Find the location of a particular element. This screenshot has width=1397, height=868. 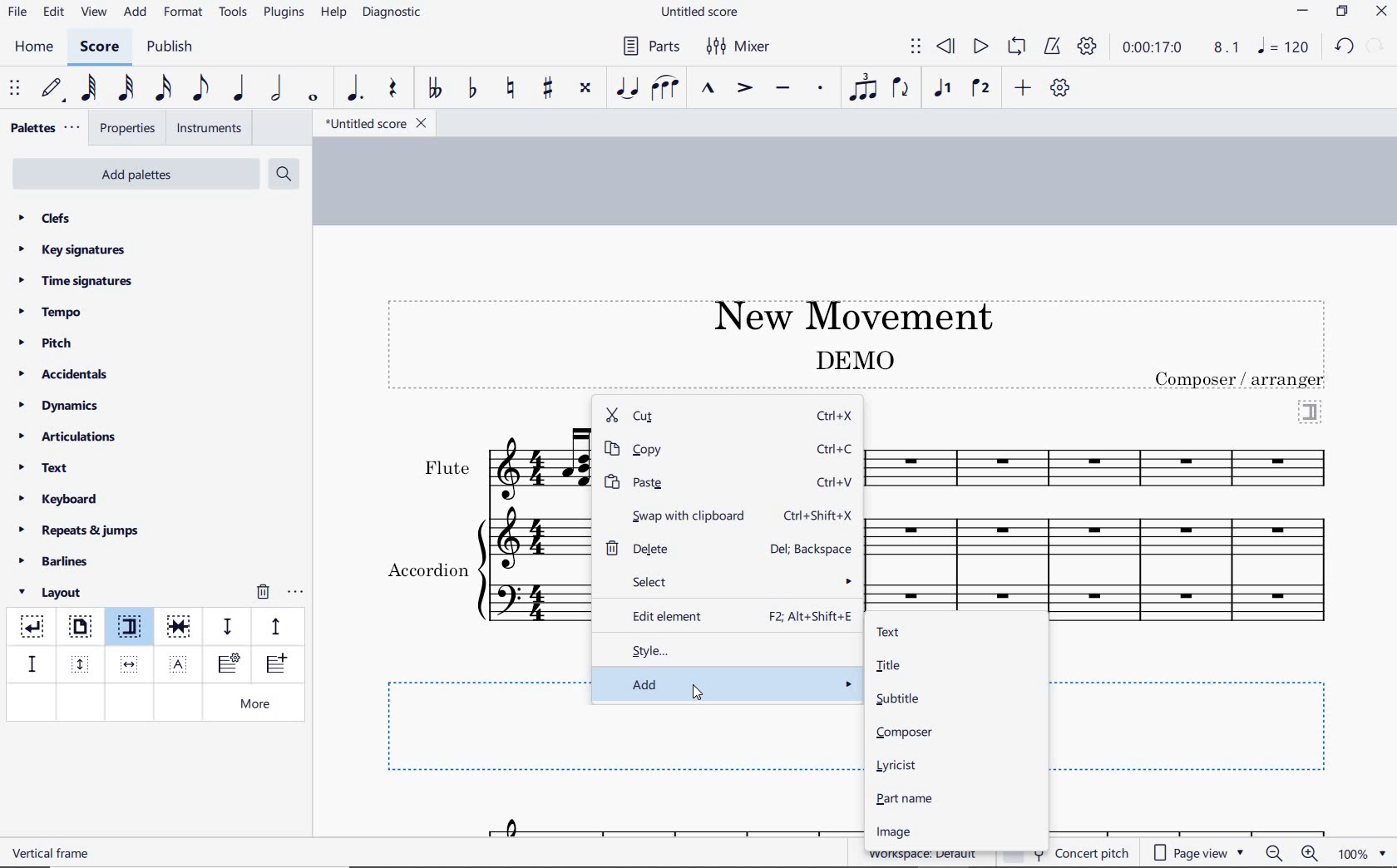

tenuto is located at coordinates (782, 89).